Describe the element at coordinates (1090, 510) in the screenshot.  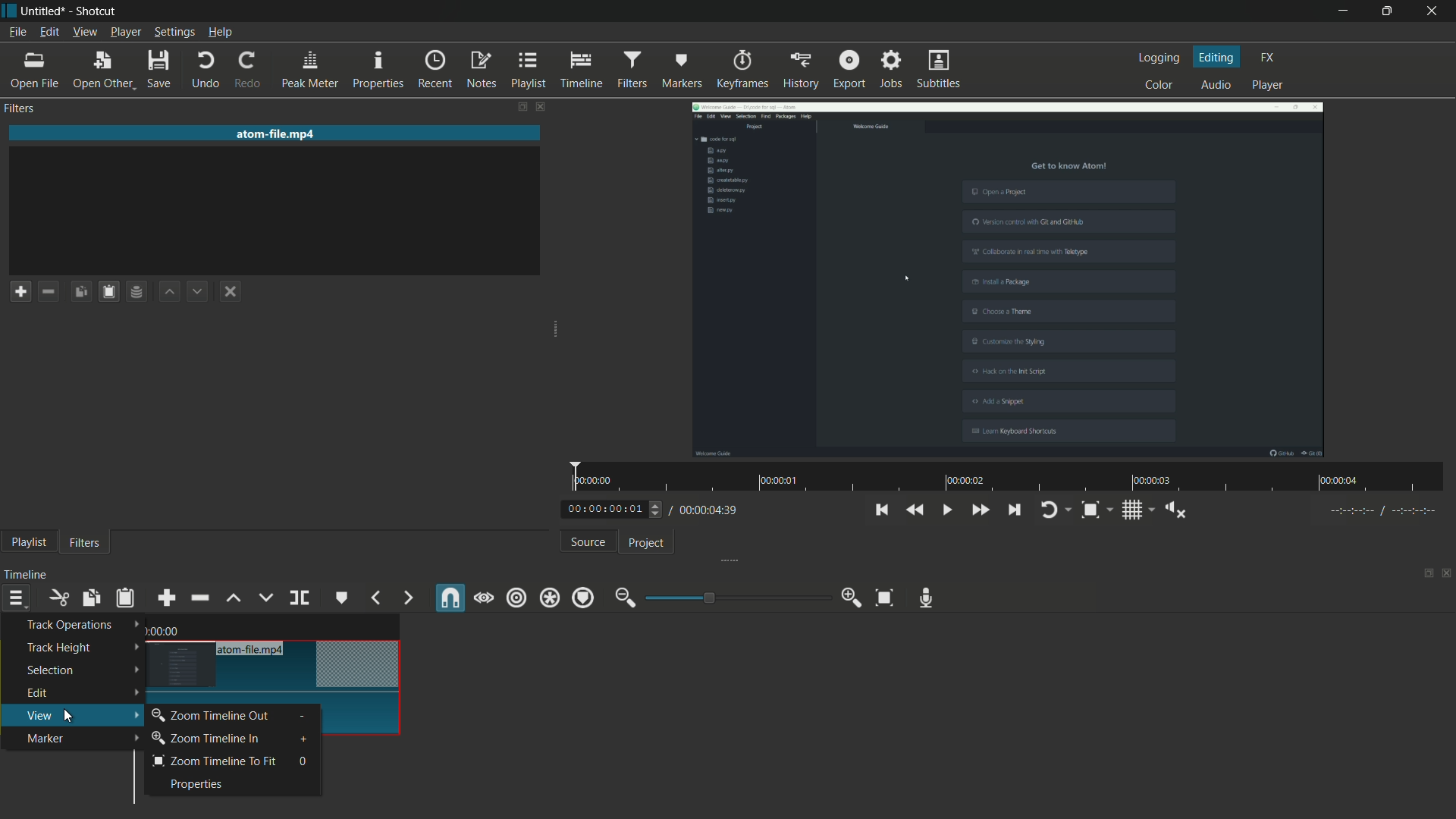
I see `toggle zoom` at that location.